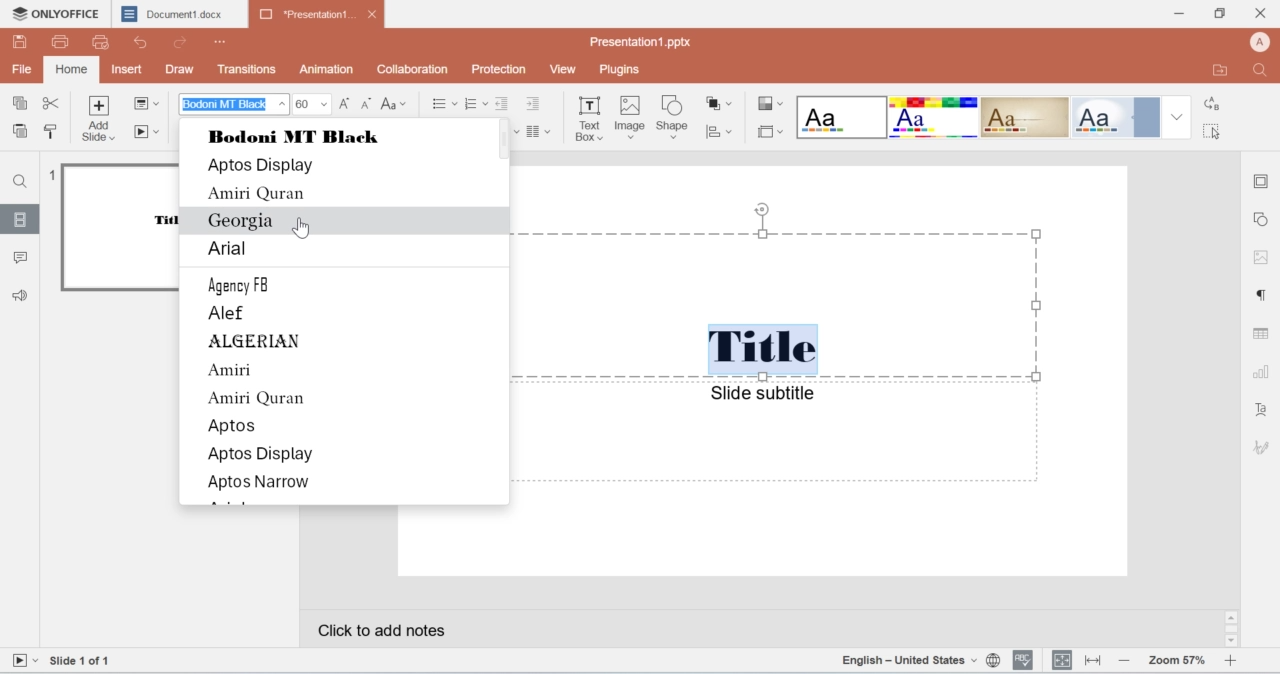  I want to click on audio, so click(27, 294).